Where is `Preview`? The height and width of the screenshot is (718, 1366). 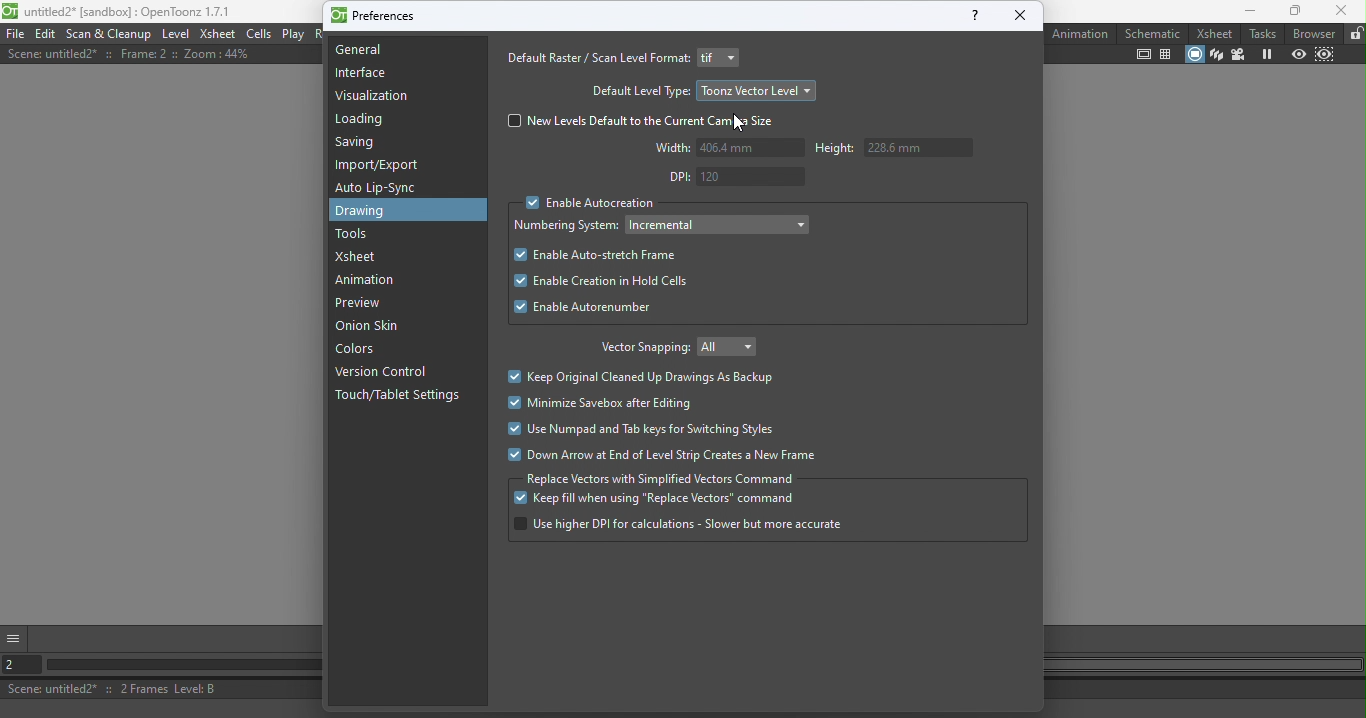
Preview is located at coordinates (1296, 56).